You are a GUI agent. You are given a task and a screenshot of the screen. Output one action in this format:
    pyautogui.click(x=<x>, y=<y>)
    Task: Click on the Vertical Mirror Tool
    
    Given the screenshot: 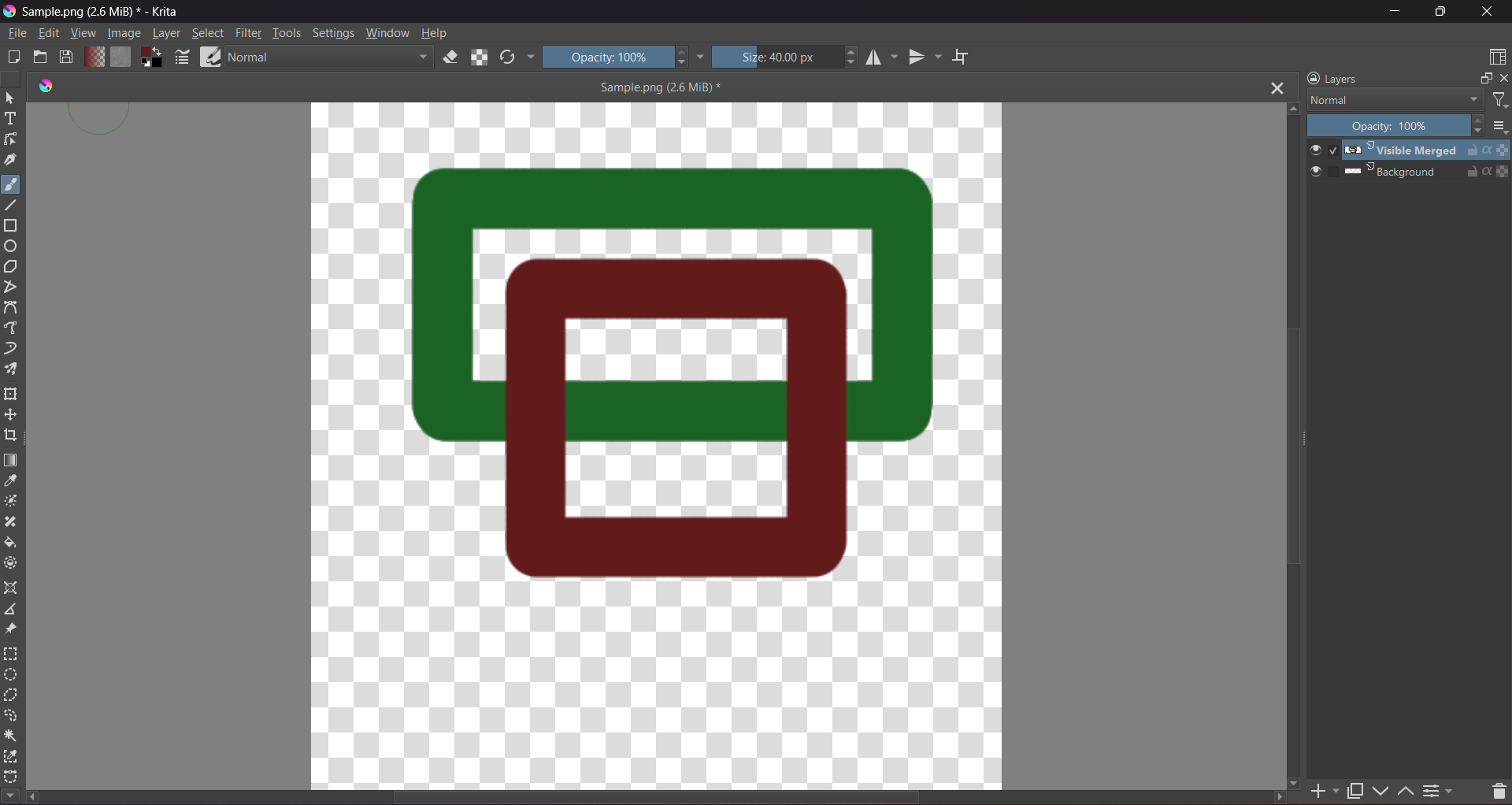 What is the action you would take?
    pyautogui.click(x=925, y=57)
    